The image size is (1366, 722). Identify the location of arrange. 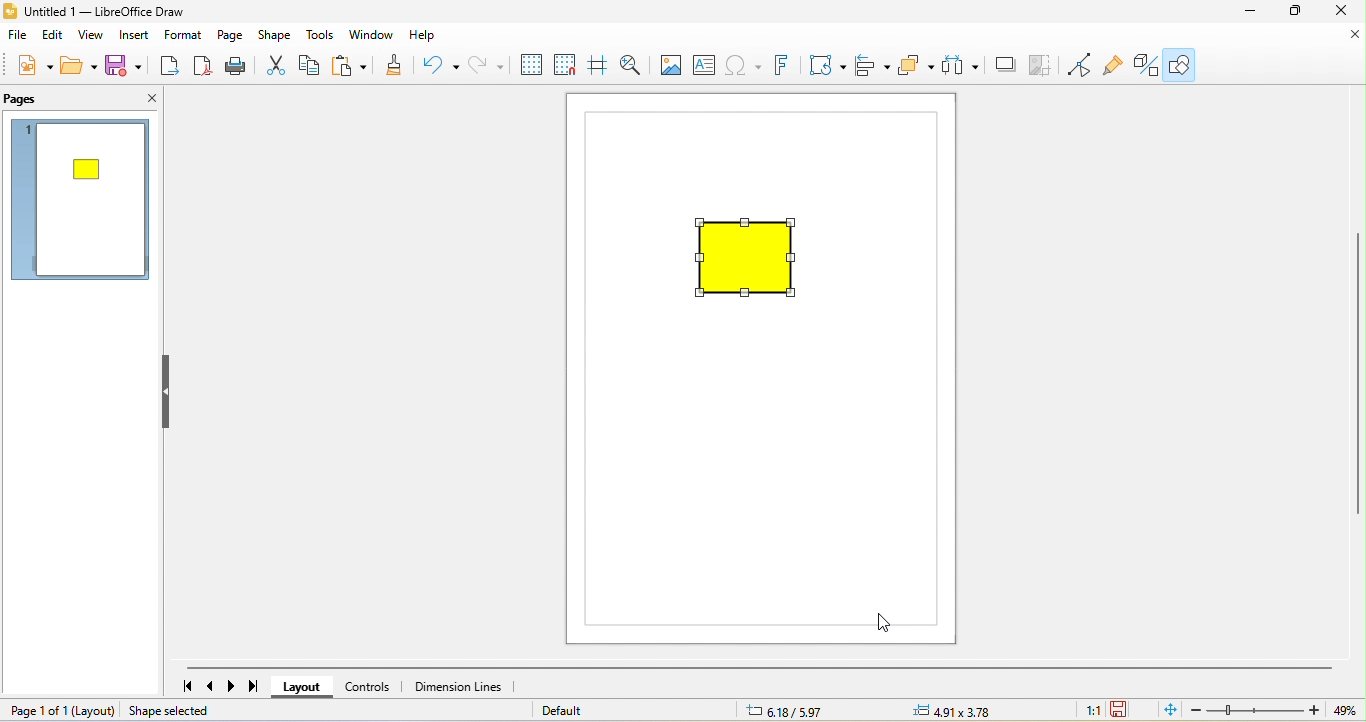
(917, 67).